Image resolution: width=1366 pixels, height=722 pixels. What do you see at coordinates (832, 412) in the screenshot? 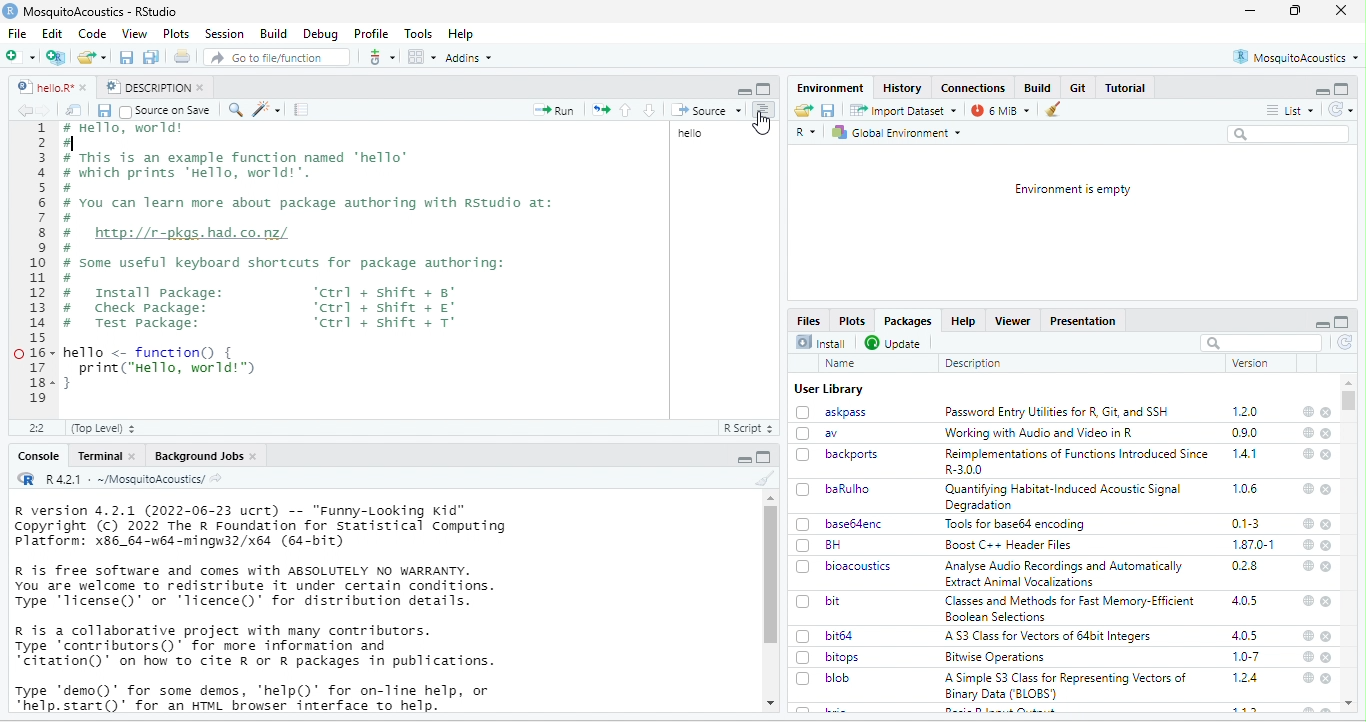
I see `askpass` at bounding box center [832, 412].